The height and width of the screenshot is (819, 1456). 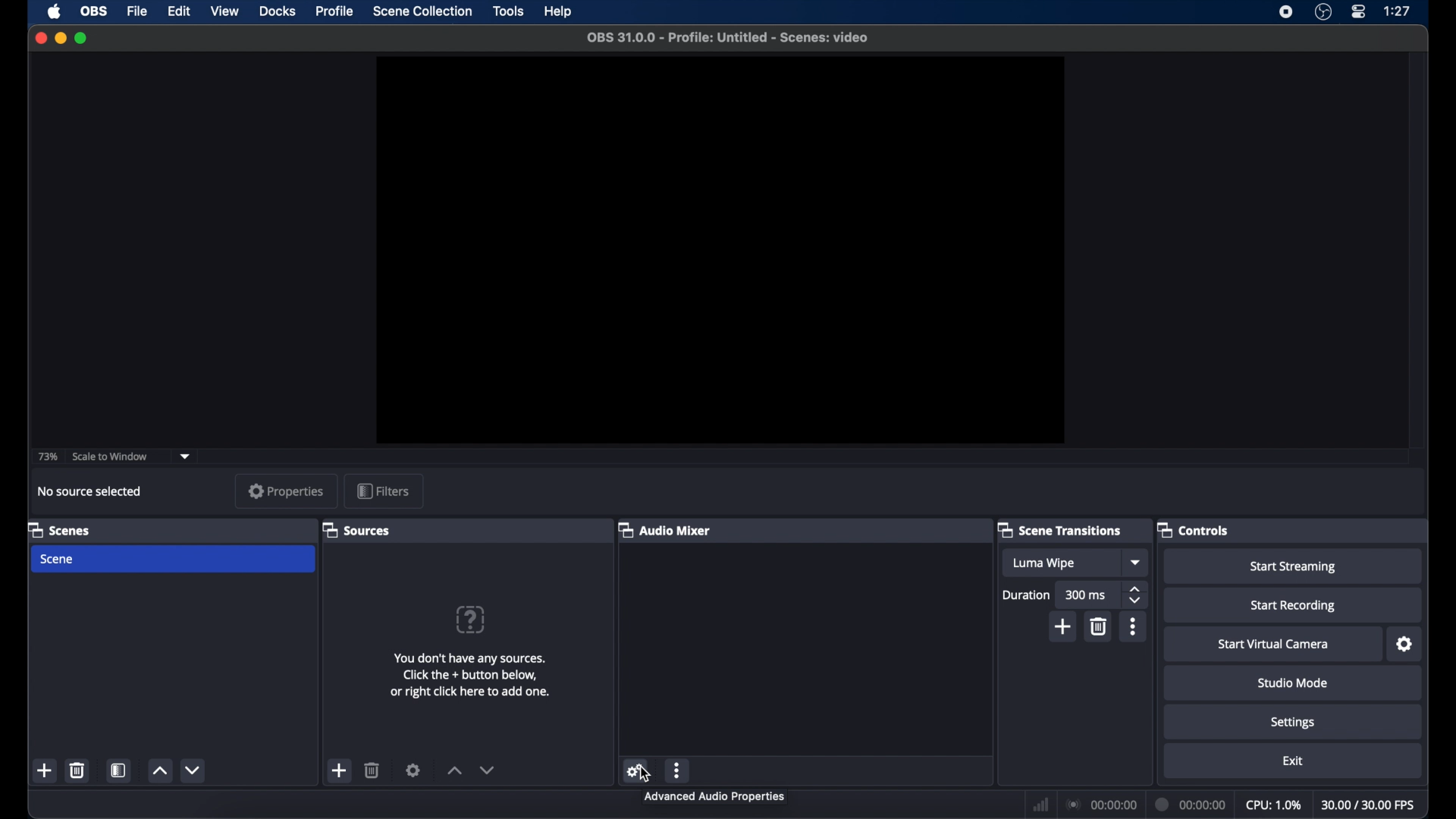 I want to click on stepper buttons, so click(x=1136, y=595).